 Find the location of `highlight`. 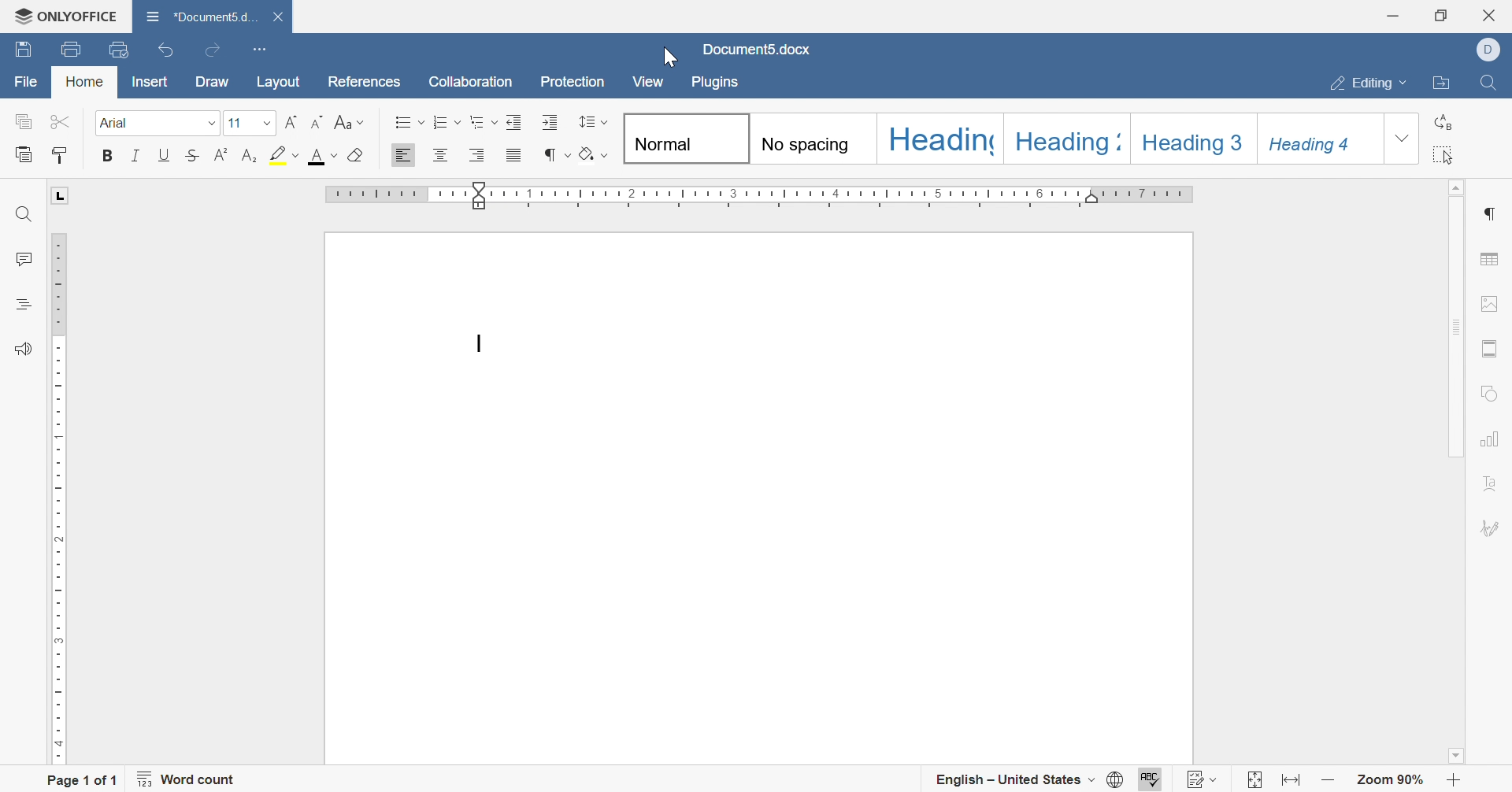

highlight is located at coordinates (284, 154).